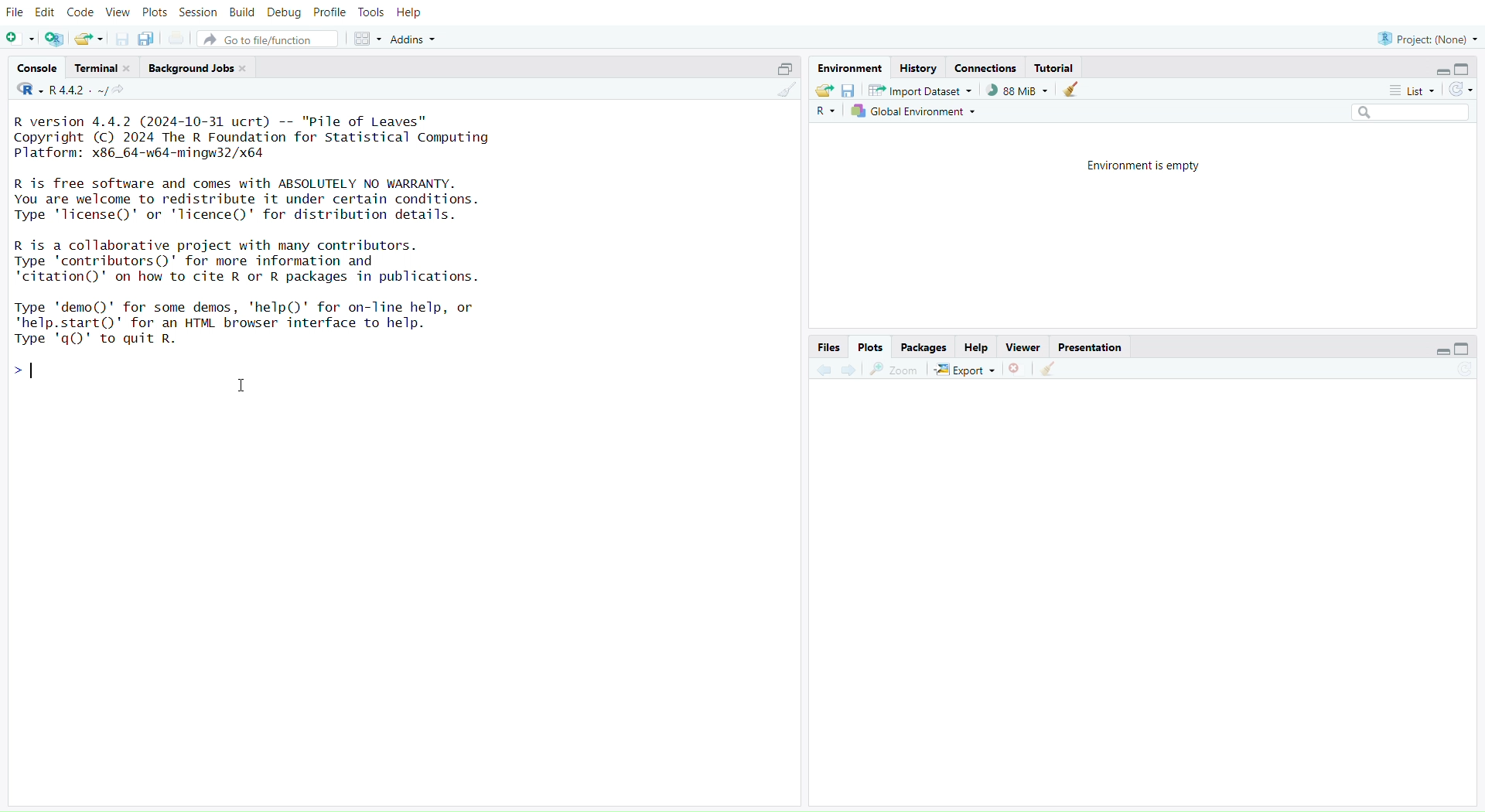 This screenshot has height=812, width=1485. Describe the element at coordinates (1461, 90) in the screenshot. I see `refresh list` at that location.